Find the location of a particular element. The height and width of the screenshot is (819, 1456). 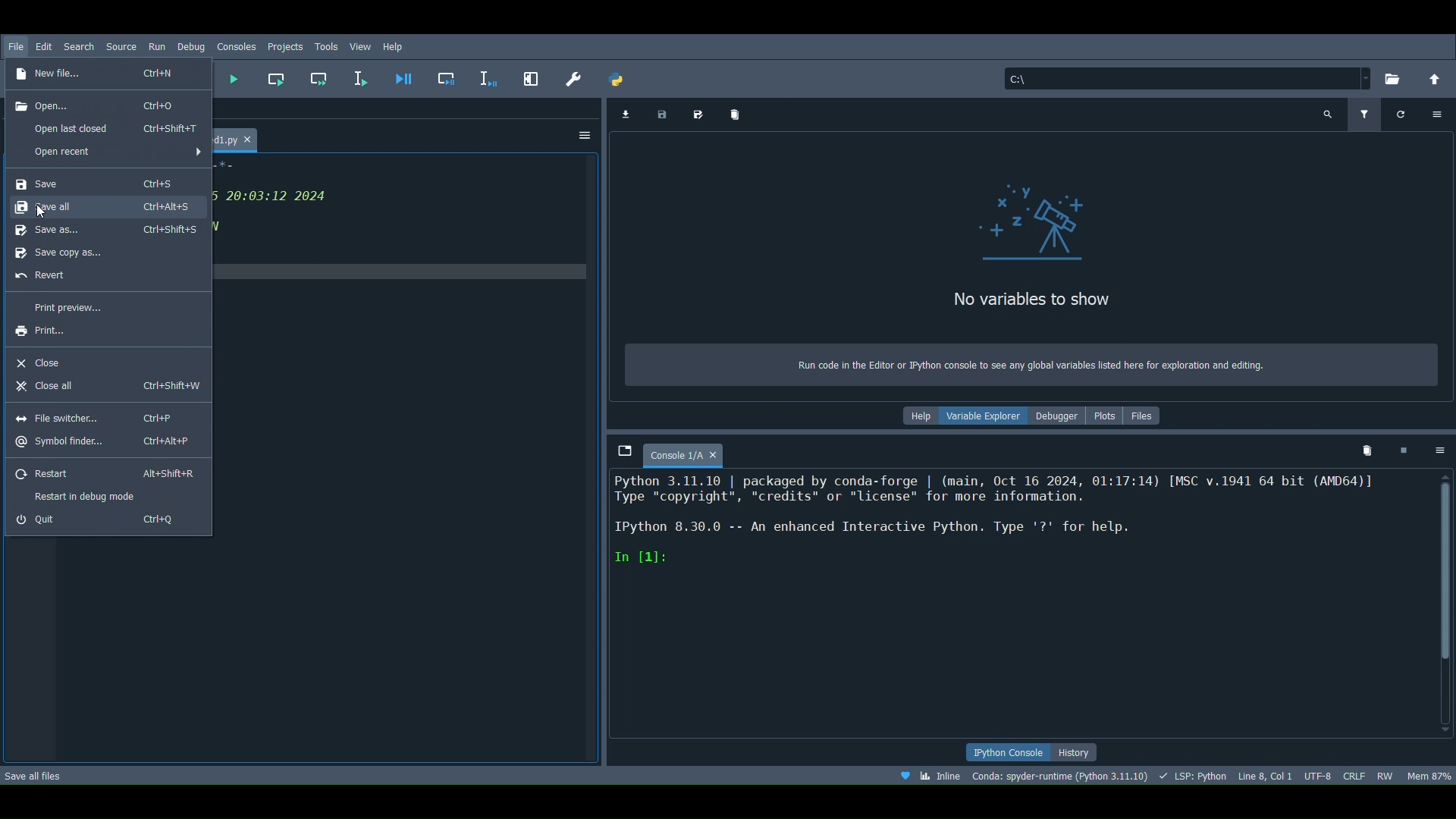

Open is located at coordinates (95, 104).